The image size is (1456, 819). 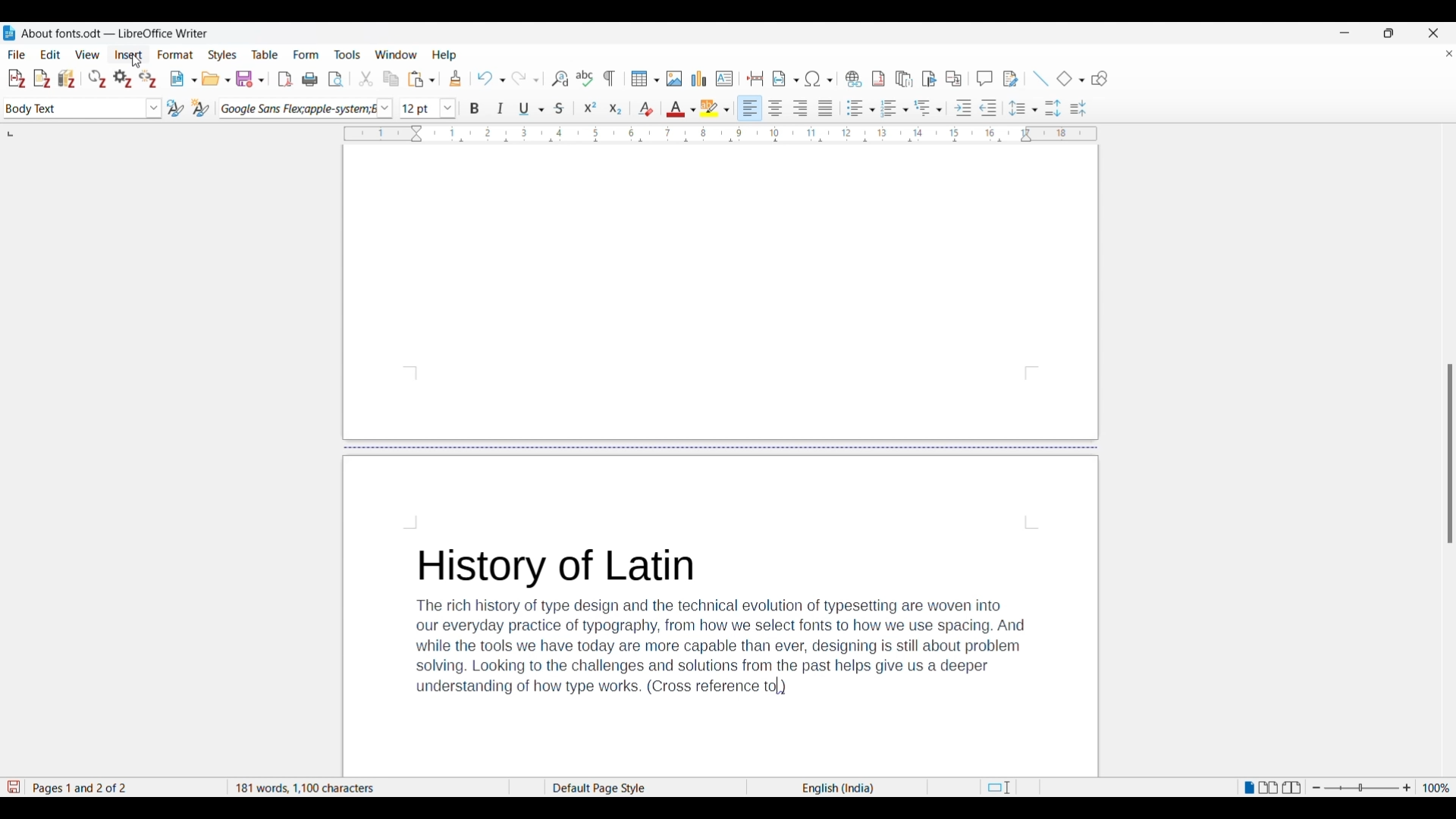 I want to click on Styles menu, so click(x=222, y=55).